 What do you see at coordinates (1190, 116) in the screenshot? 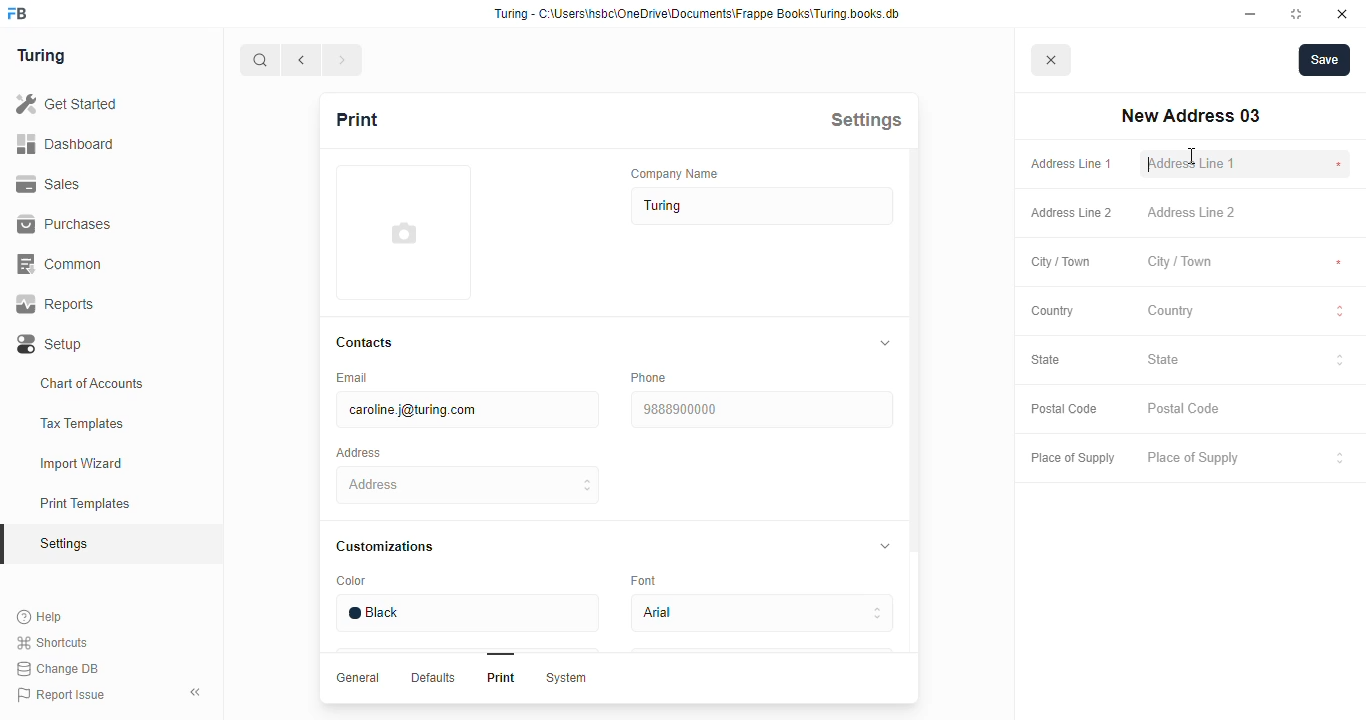
I see `new address 03` at bounding box center [1190, 116].